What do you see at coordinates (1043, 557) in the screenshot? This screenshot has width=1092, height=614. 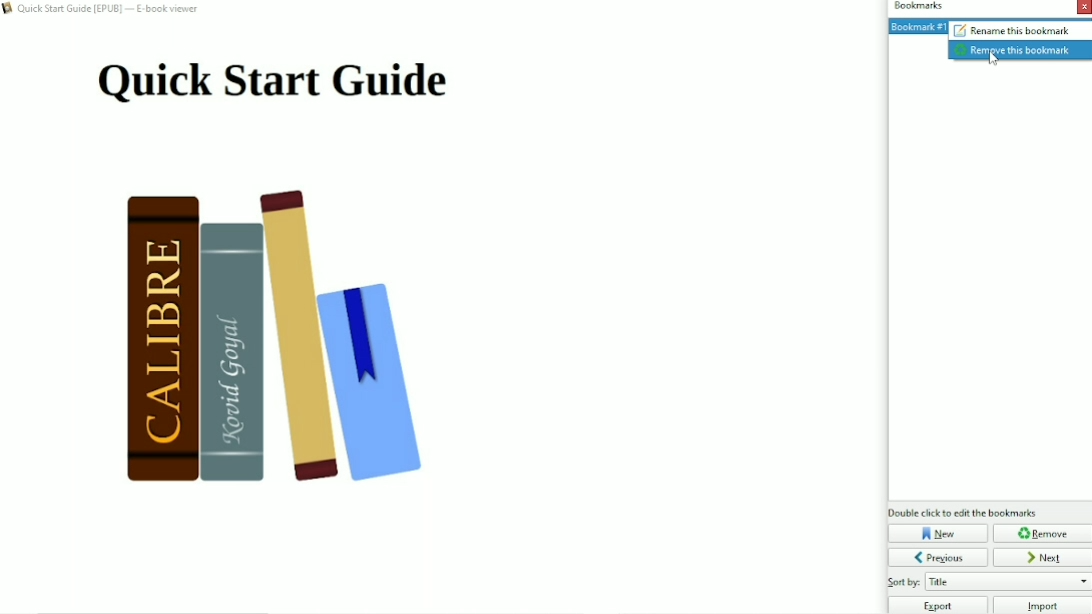 I see `Next` at bounding box center [1043, 557].